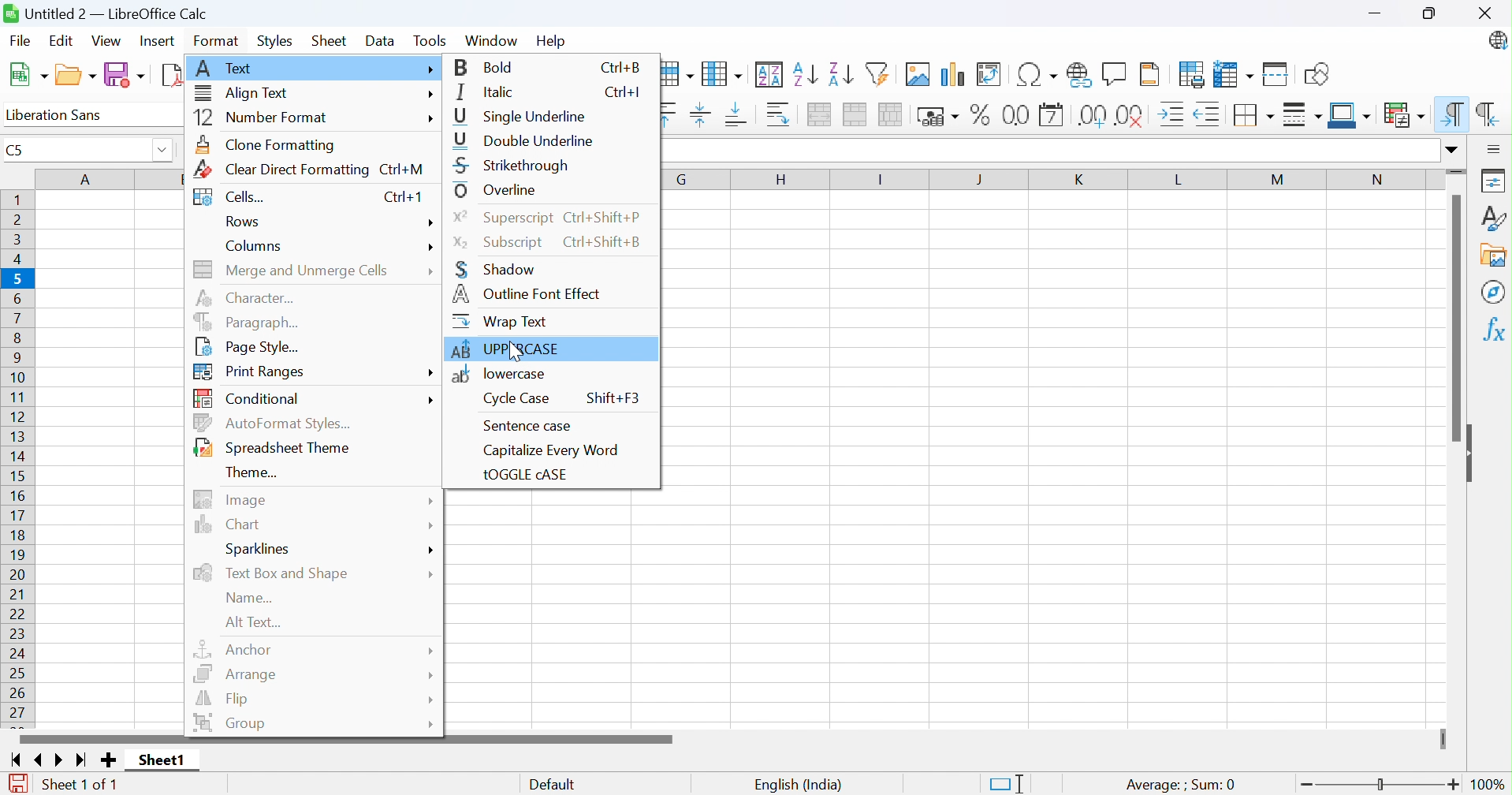 The width and height of the screenshot is (1512, 795). What do you see at coordinates (1499, 42) in the screenshot?
I see `LibreOffice update available` at bounding box center [1499, 42].